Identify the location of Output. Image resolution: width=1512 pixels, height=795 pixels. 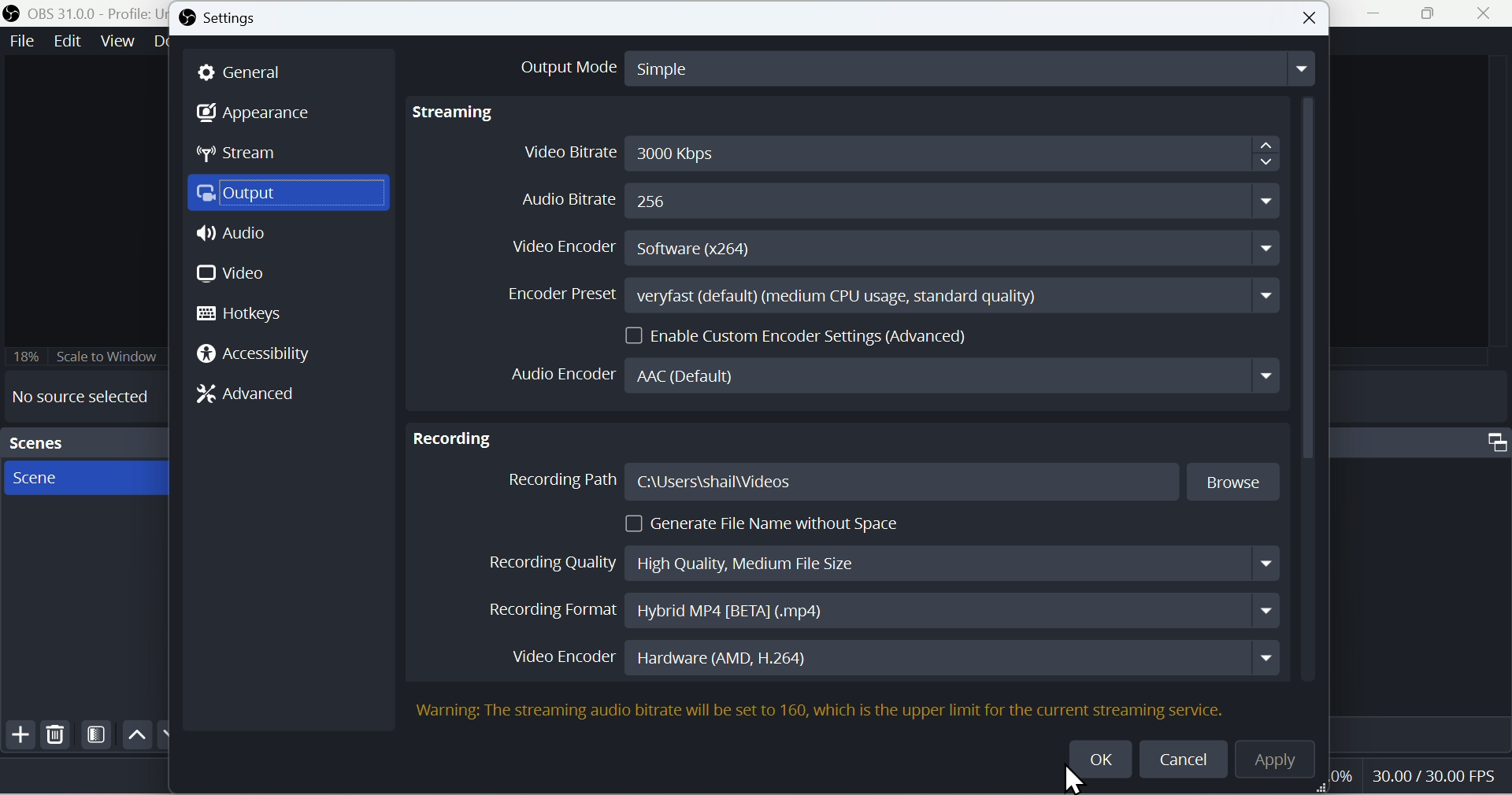
(293, 197).